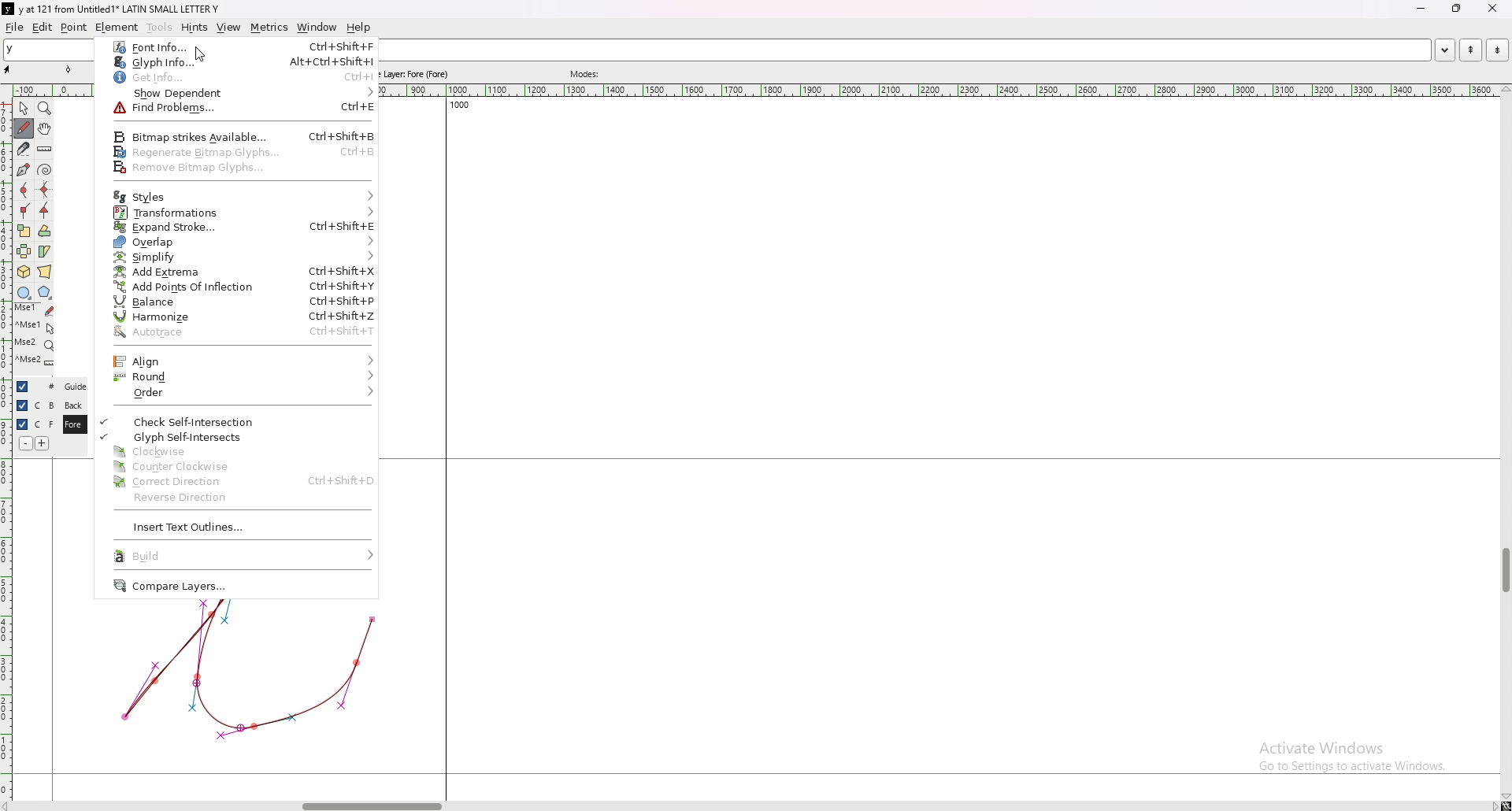 The height and width of the screenshot is (811, 1512). Describe the element at coordinates (34, 344) in the screenshot. I see `mse 2` at that location.